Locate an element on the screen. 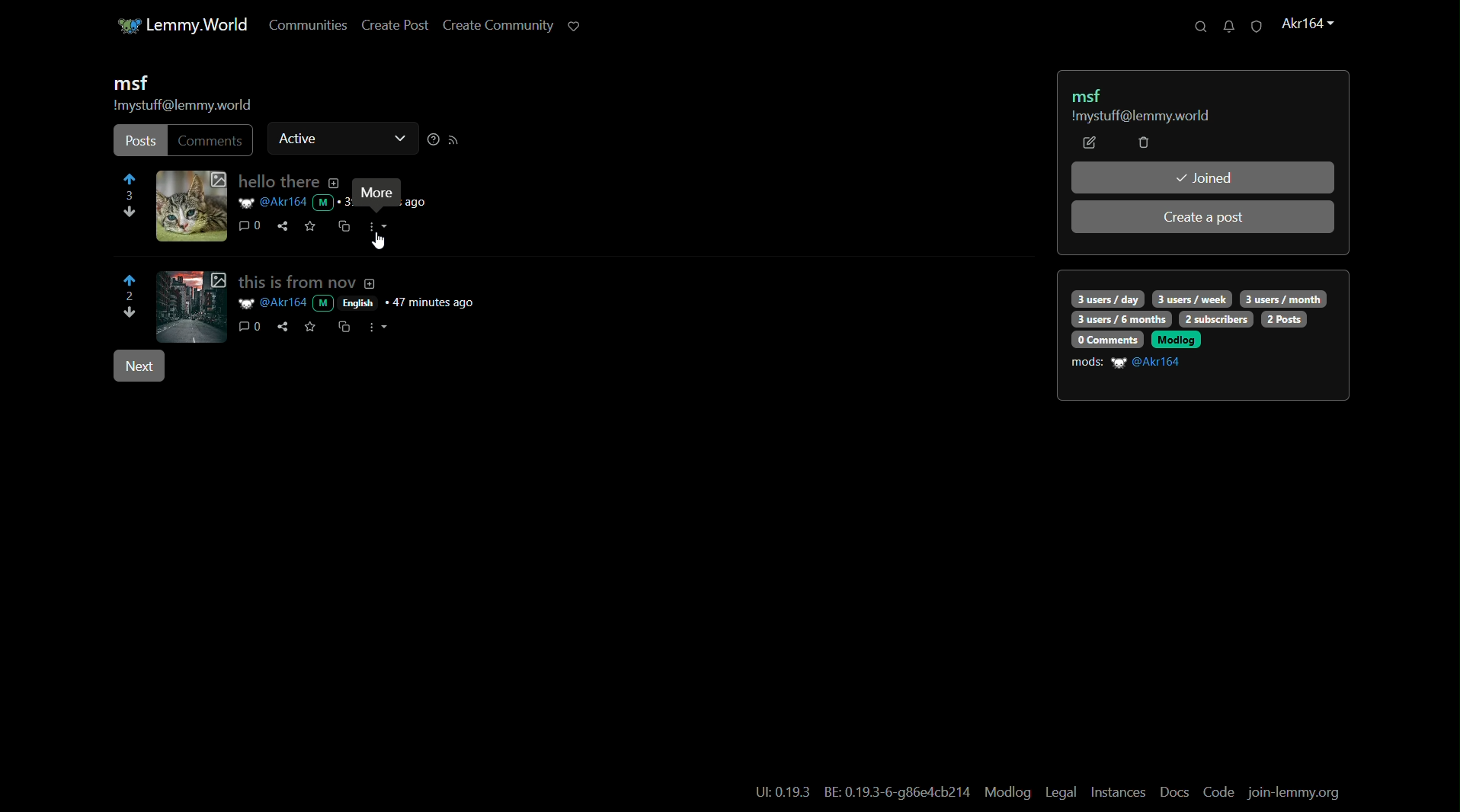  post image is located at coordinates (191, 206).